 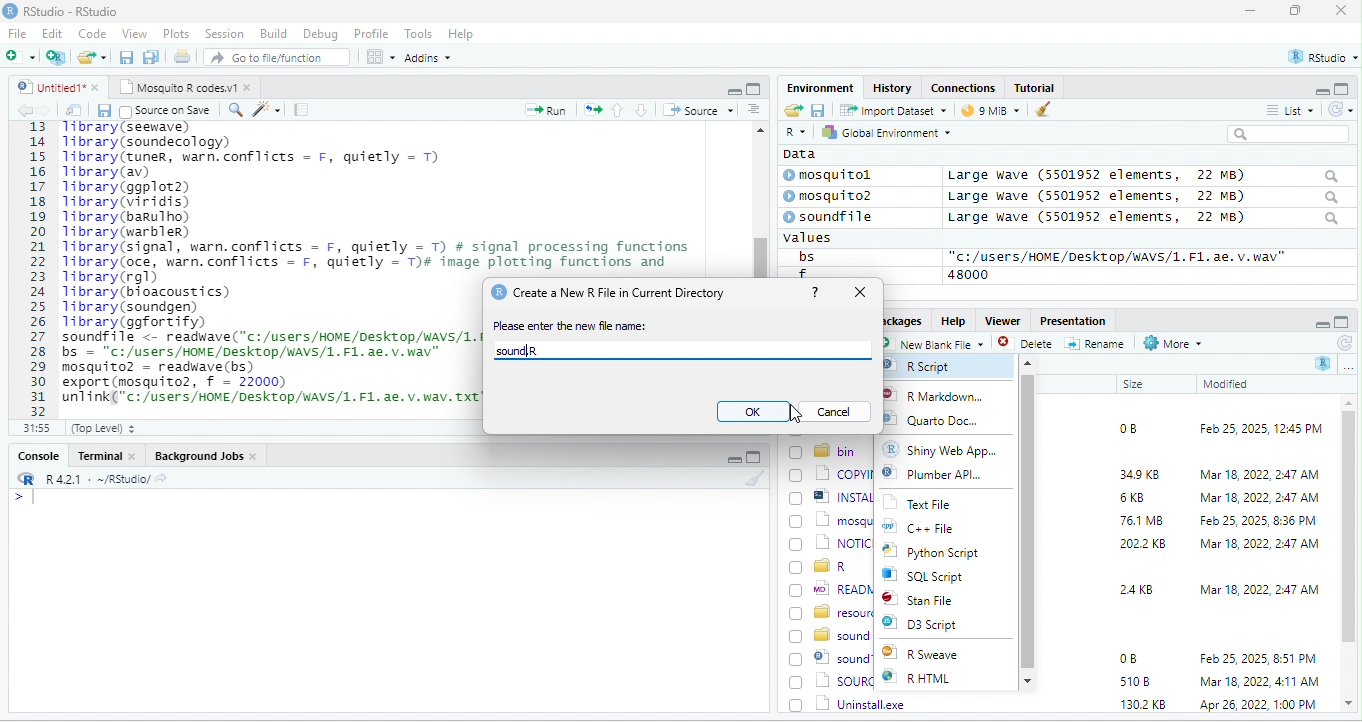 What do you see at coordinates (832, 544) in the screenshot?
I see `(7) 1 NOTICE` at bounding box center [832, 544].